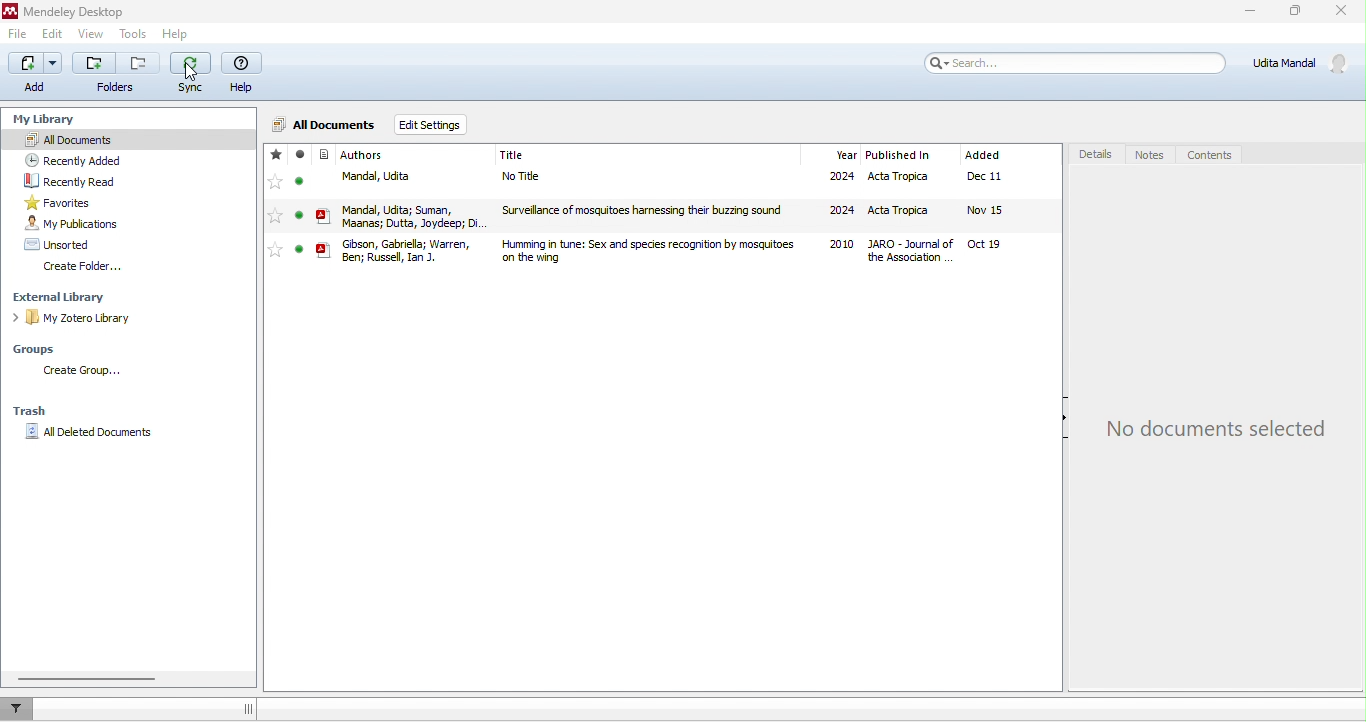  What do you see at coordinates (1147, 154) in the screenshot?
I see `notes` at bounding box center [1147, 154].